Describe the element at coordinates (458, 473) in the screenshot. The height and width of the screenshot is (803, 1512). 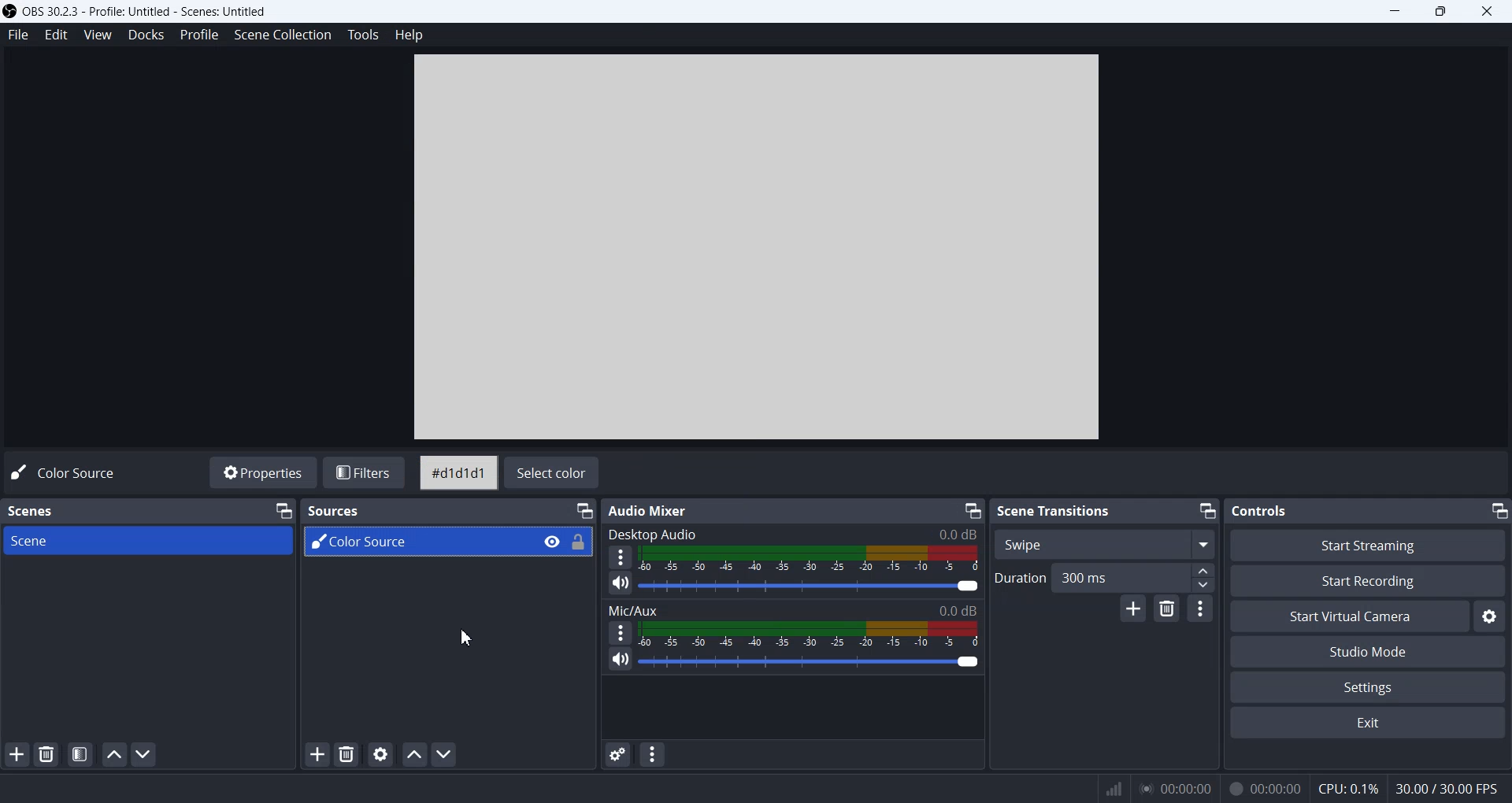
I see `#d1d1d1` at that location.